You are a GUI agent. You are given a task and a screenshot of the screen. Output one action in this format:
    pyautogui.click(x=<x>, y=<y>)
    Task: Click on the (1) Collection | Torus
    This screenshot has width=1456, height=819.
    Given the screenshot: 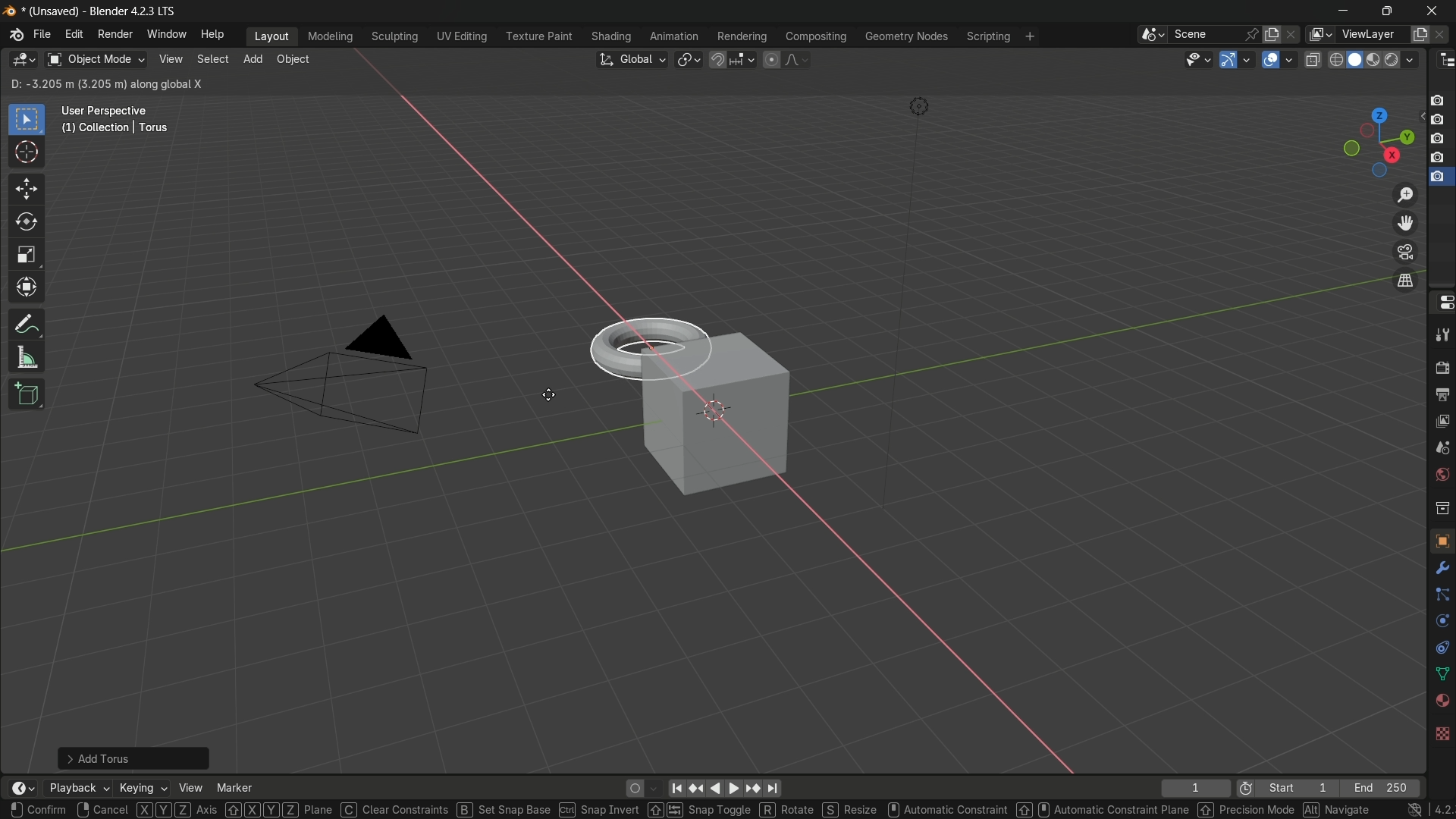 What is the action you would take?
    pyautogui.click(x=113, y=129)
    